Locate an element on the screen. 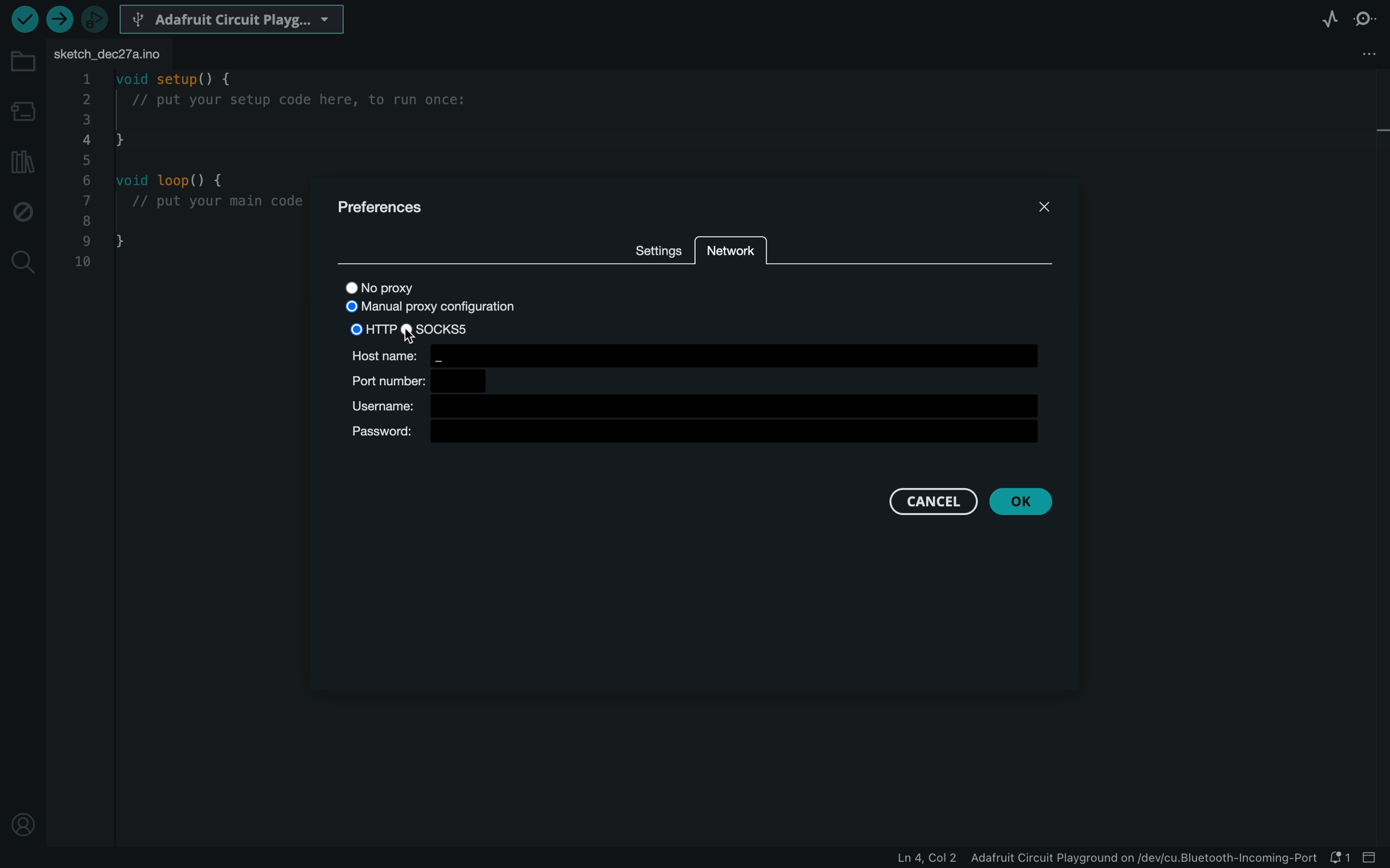  serial monitor is located at coordinates (1367, 18).